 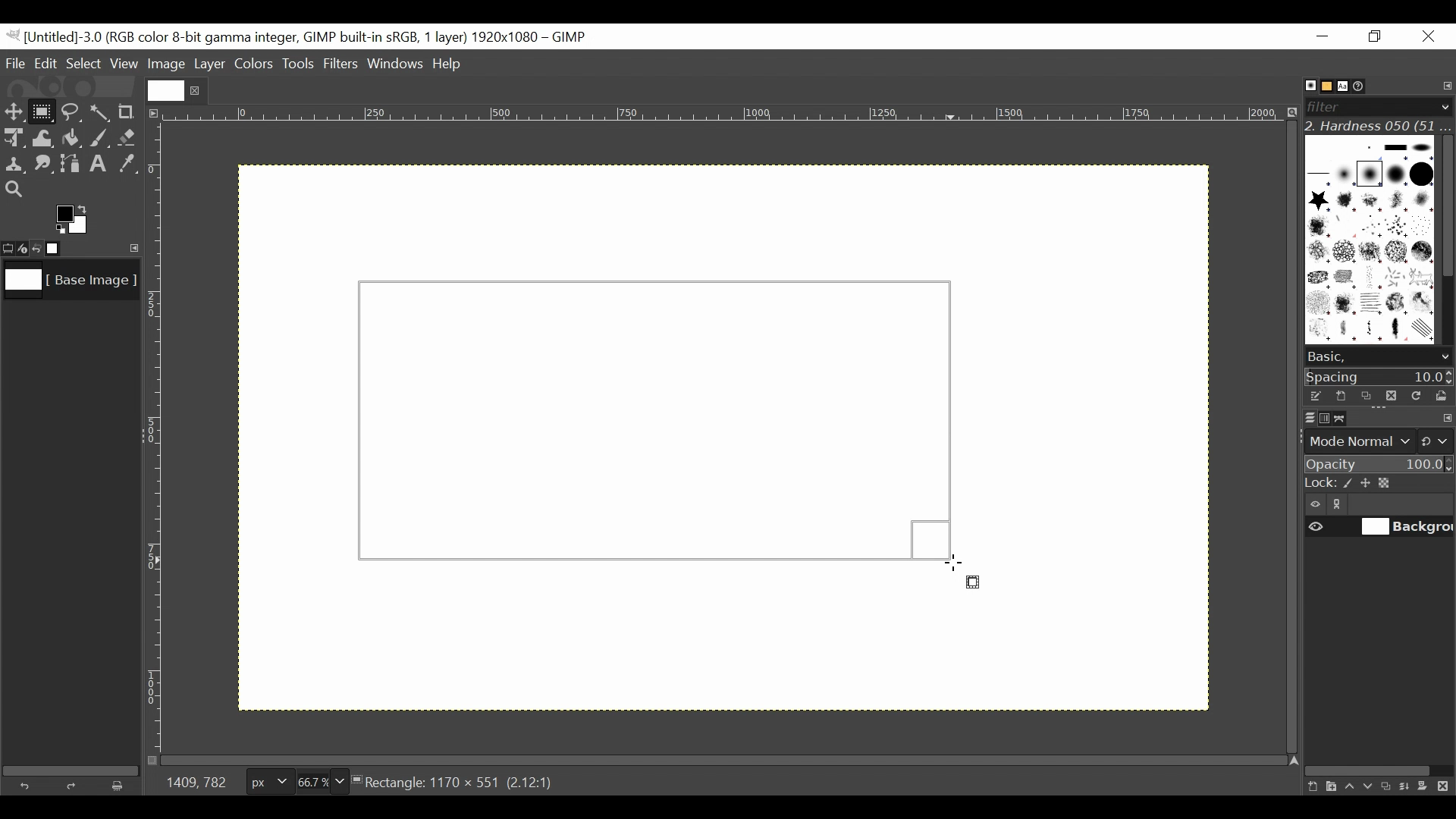 I want to click on Create a new layer, so click(x=1330, y=786).